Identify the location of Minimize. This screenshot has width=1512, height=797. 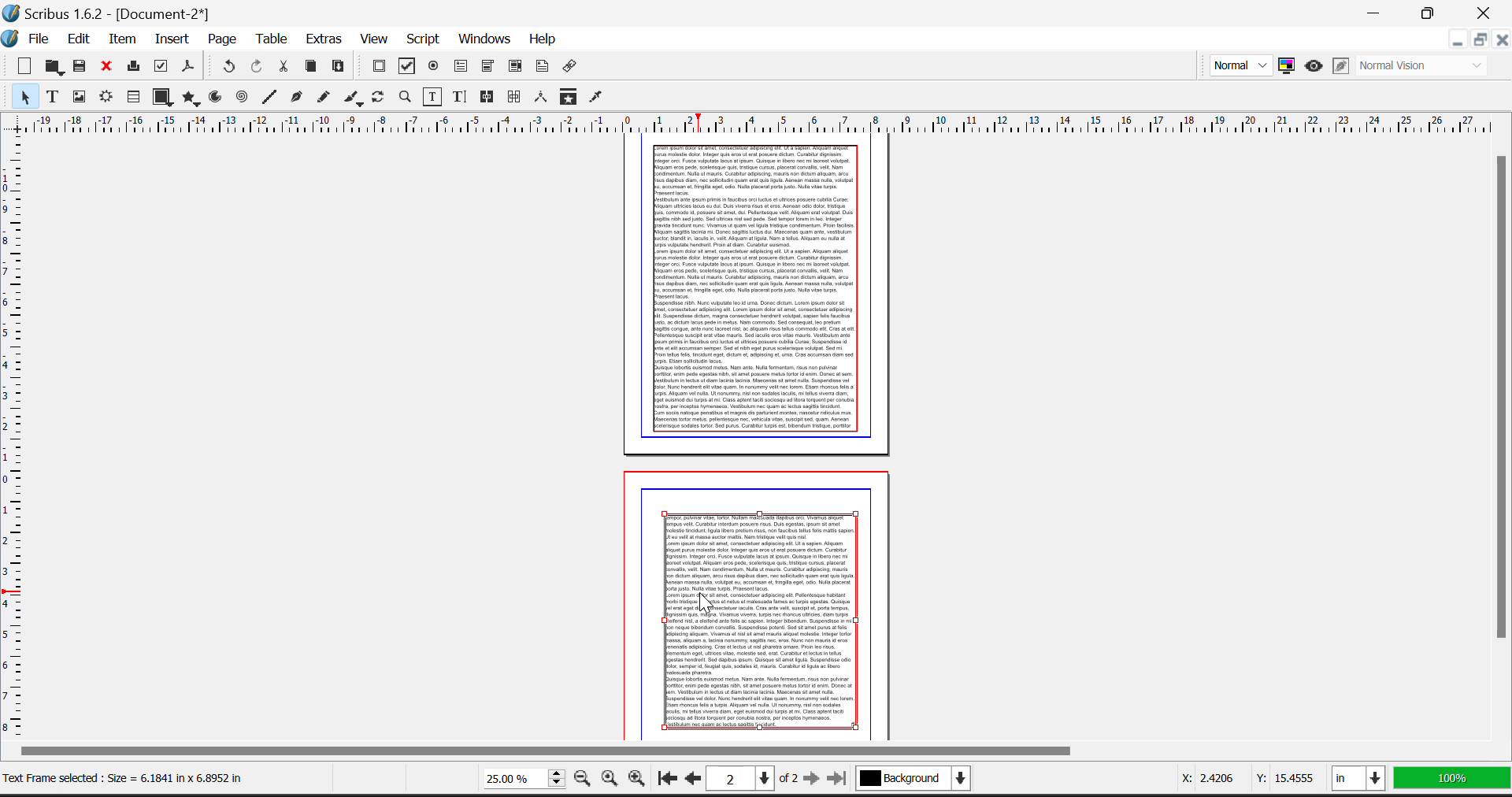
(1431, 11).